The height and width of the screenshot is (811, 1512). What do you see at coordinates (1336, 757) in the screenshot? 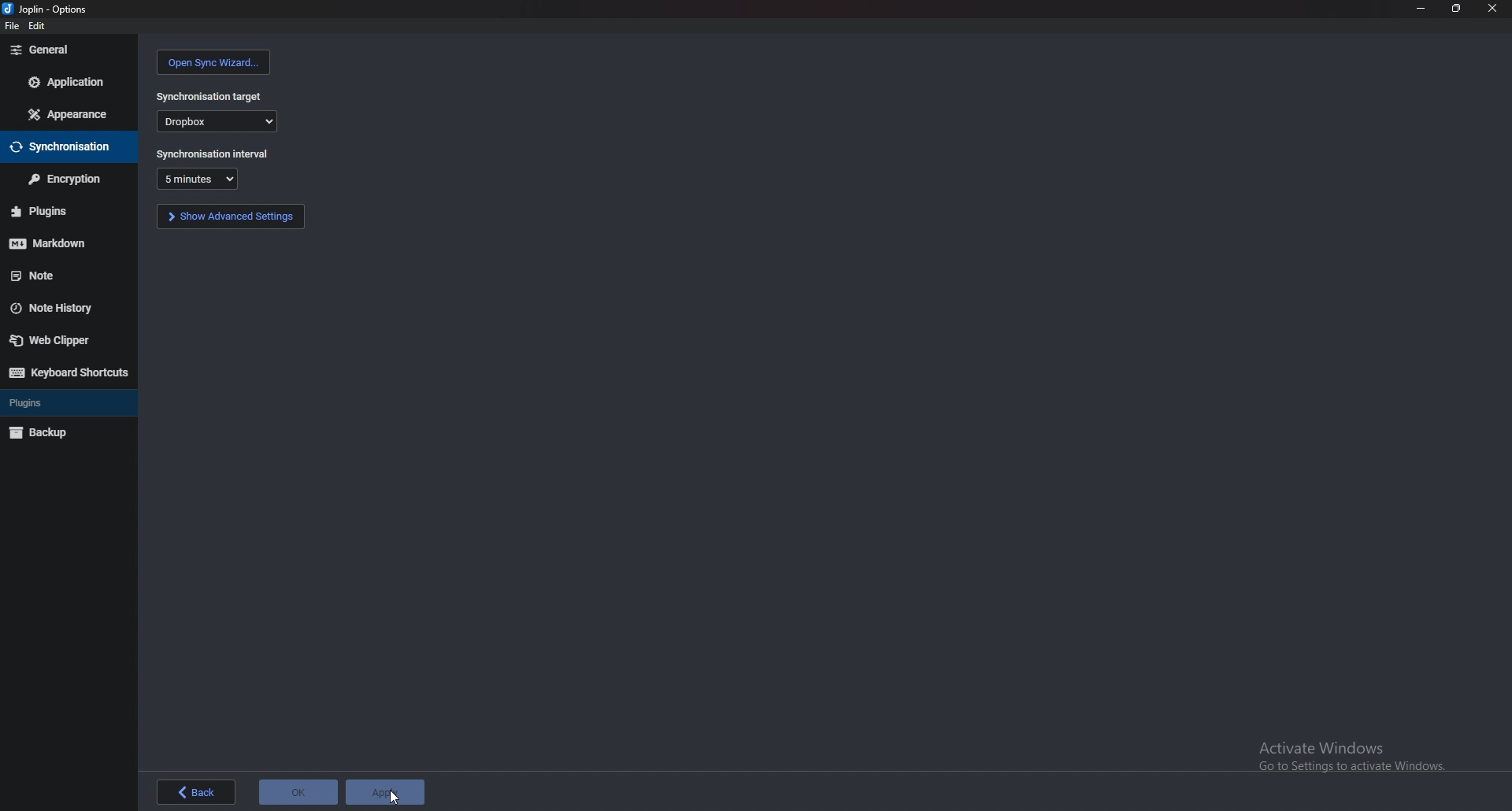
I see `Activate Windows` at bounding box center [1336, 757].